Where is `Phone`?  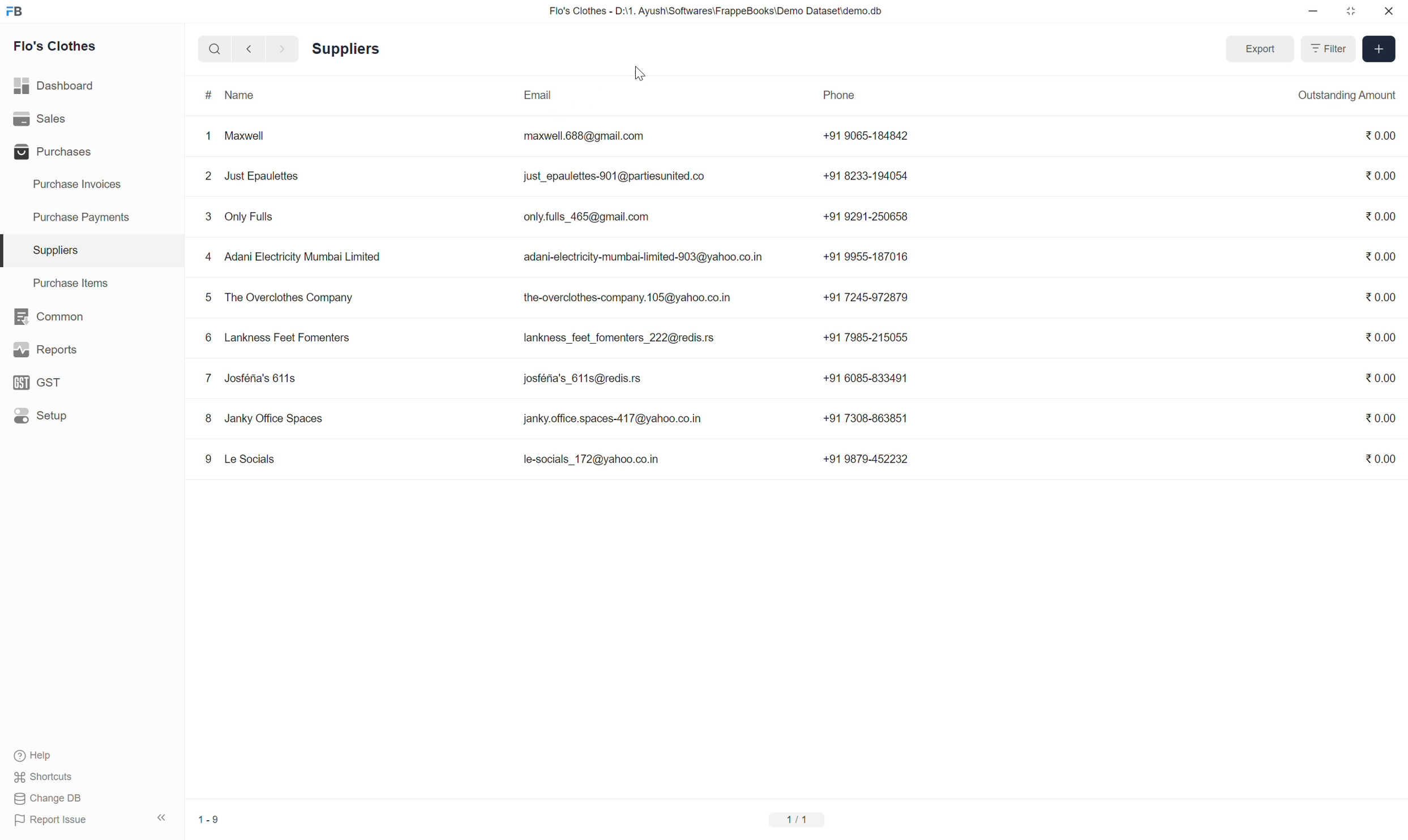 Phone is located at coordinates (840, 96).